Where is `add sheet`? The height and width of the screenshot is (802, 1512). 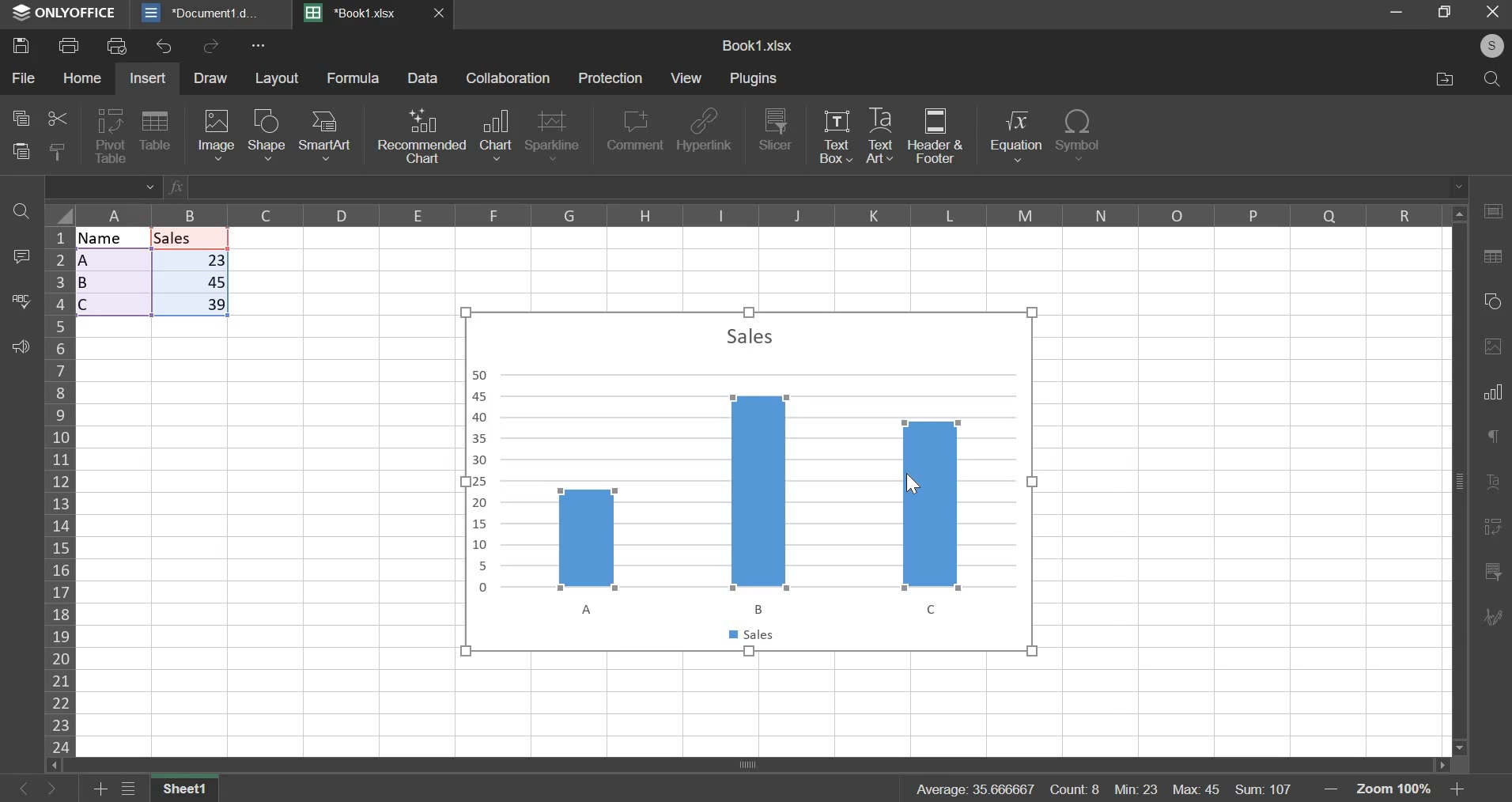 add sheet is located at coordinates (97, 791).